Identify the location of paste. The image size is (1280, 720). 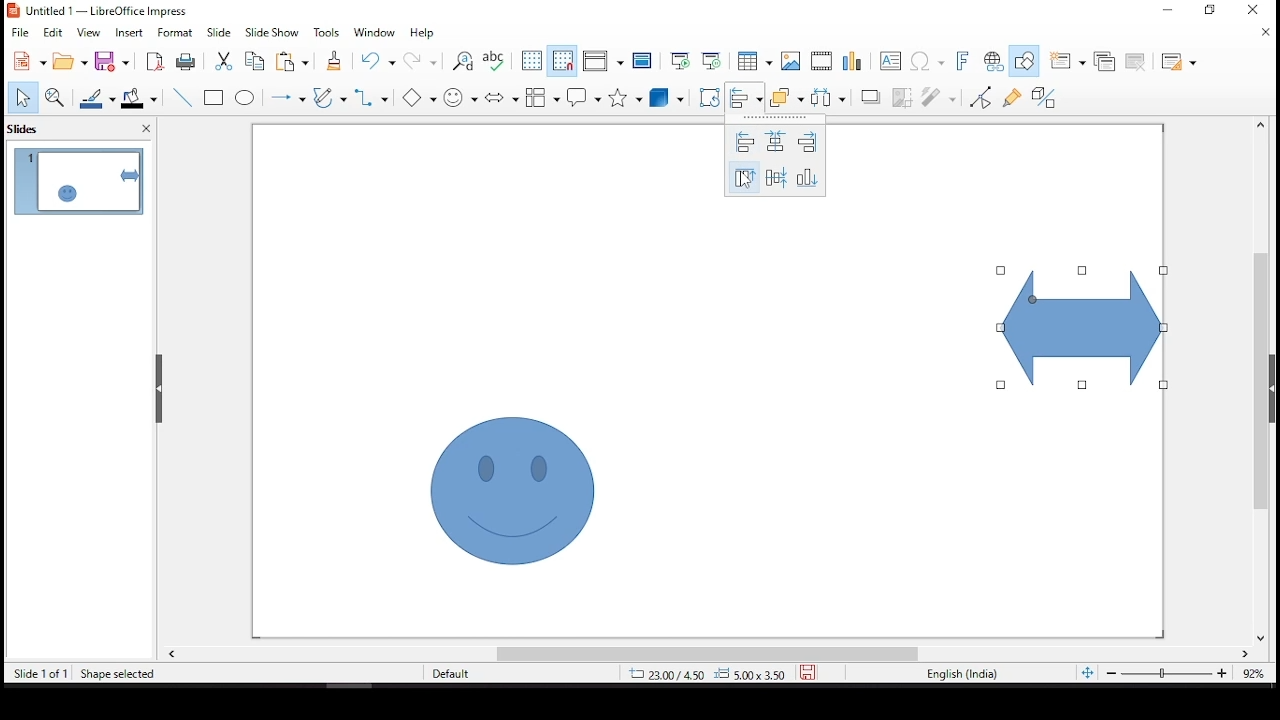
(296, 61).